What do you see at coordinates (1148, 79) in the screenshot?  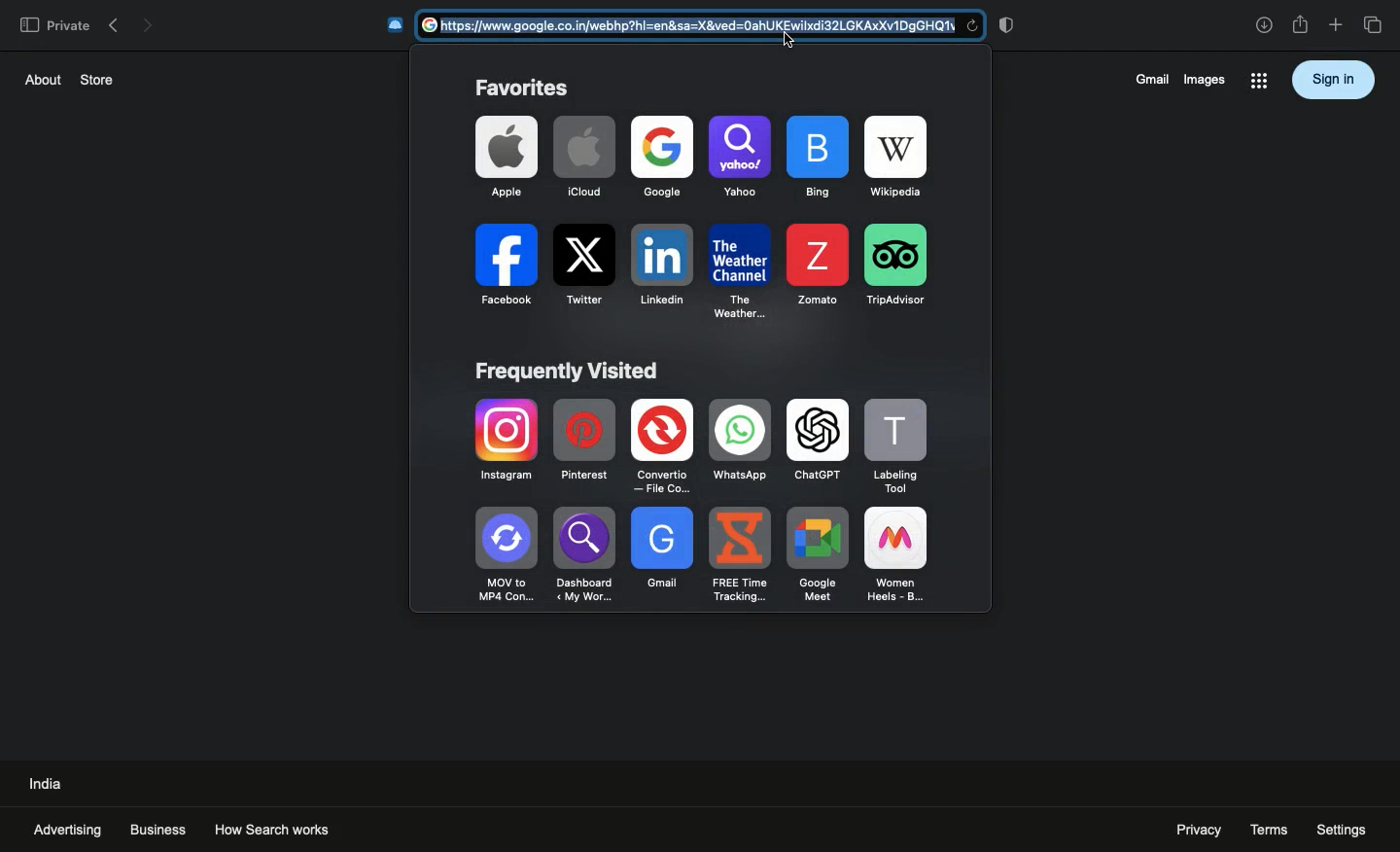 I see `gmail` at bounding box center [1148, 79].